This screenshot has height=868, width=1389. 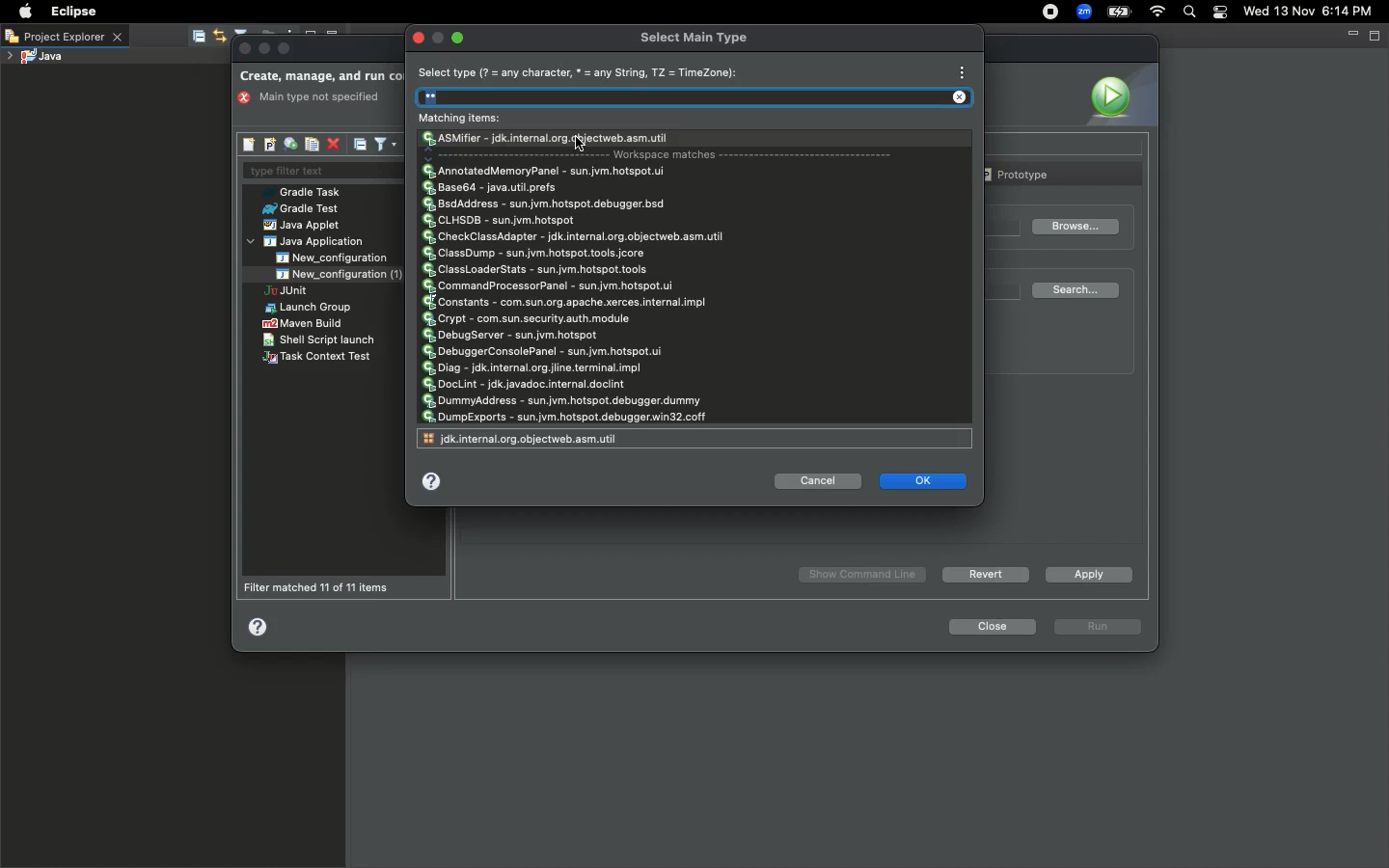 What do you see at coordinates (308, 242) in the screenshot?
I see `Java application` at bounding box center [308, 242].